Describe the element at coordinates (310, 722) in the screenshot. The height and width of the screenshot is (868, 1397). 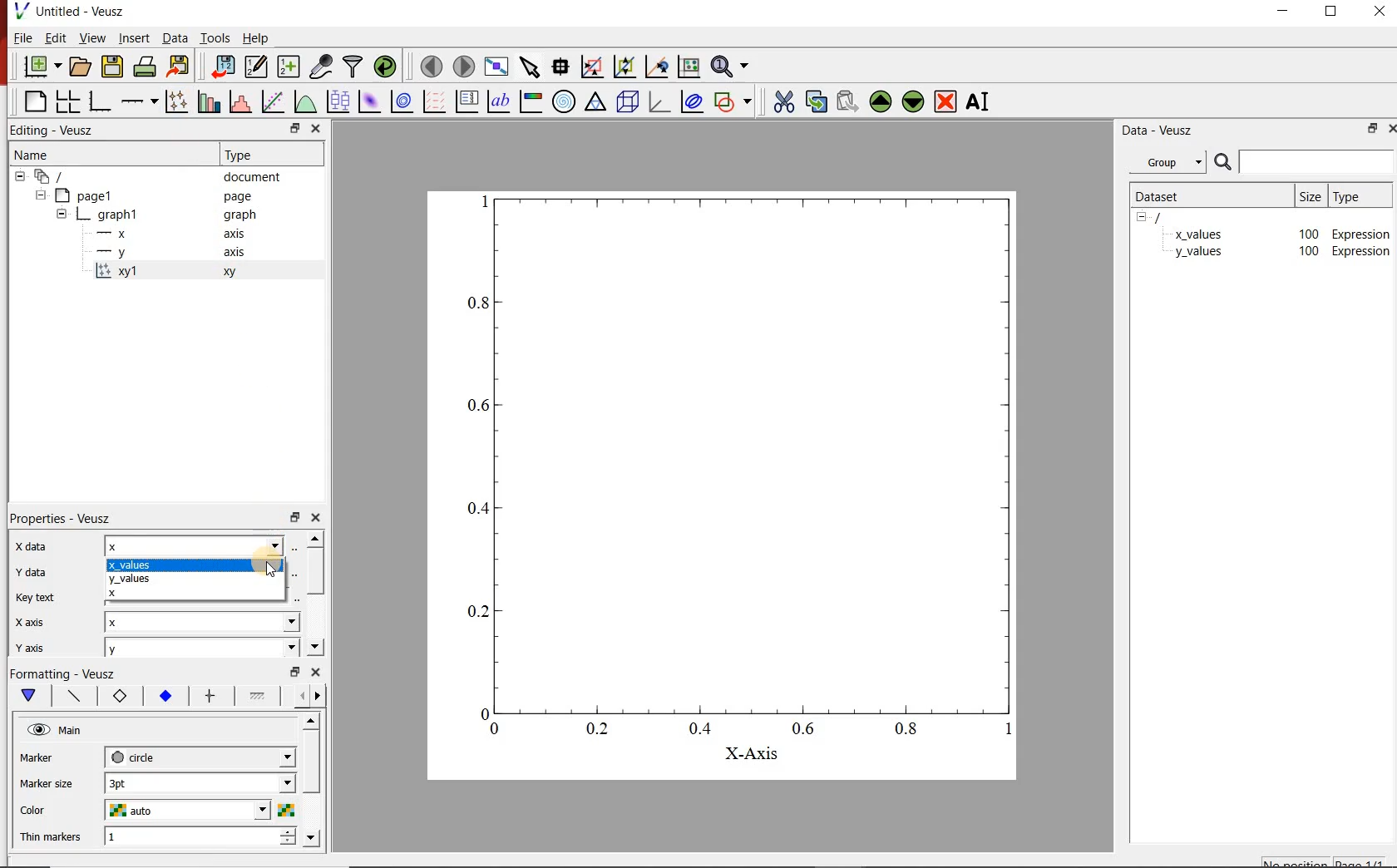
I see `move up` at that location.